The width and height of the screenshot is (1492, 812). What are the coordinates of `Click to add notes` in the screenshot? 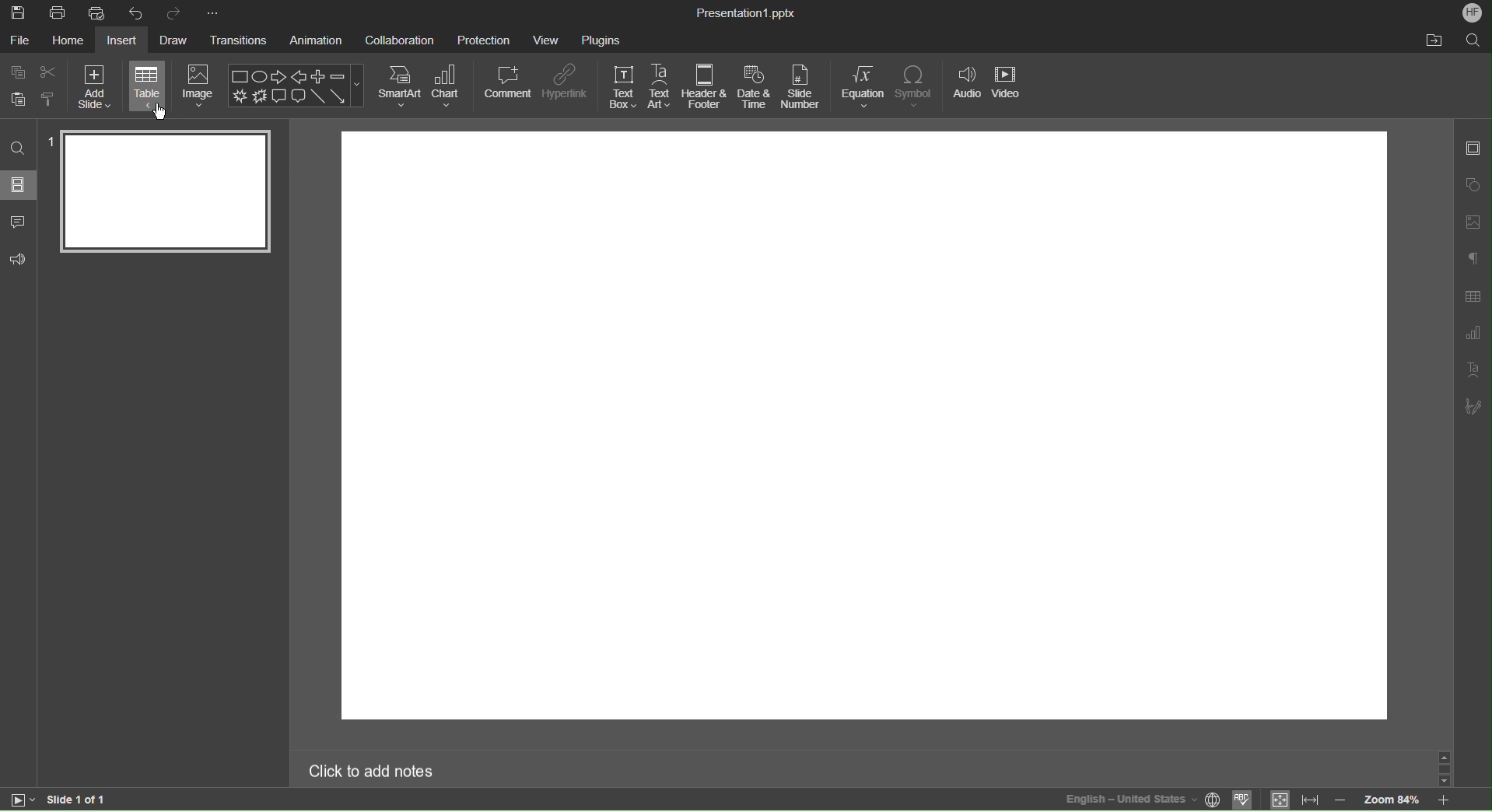 It's located at (373, 769).